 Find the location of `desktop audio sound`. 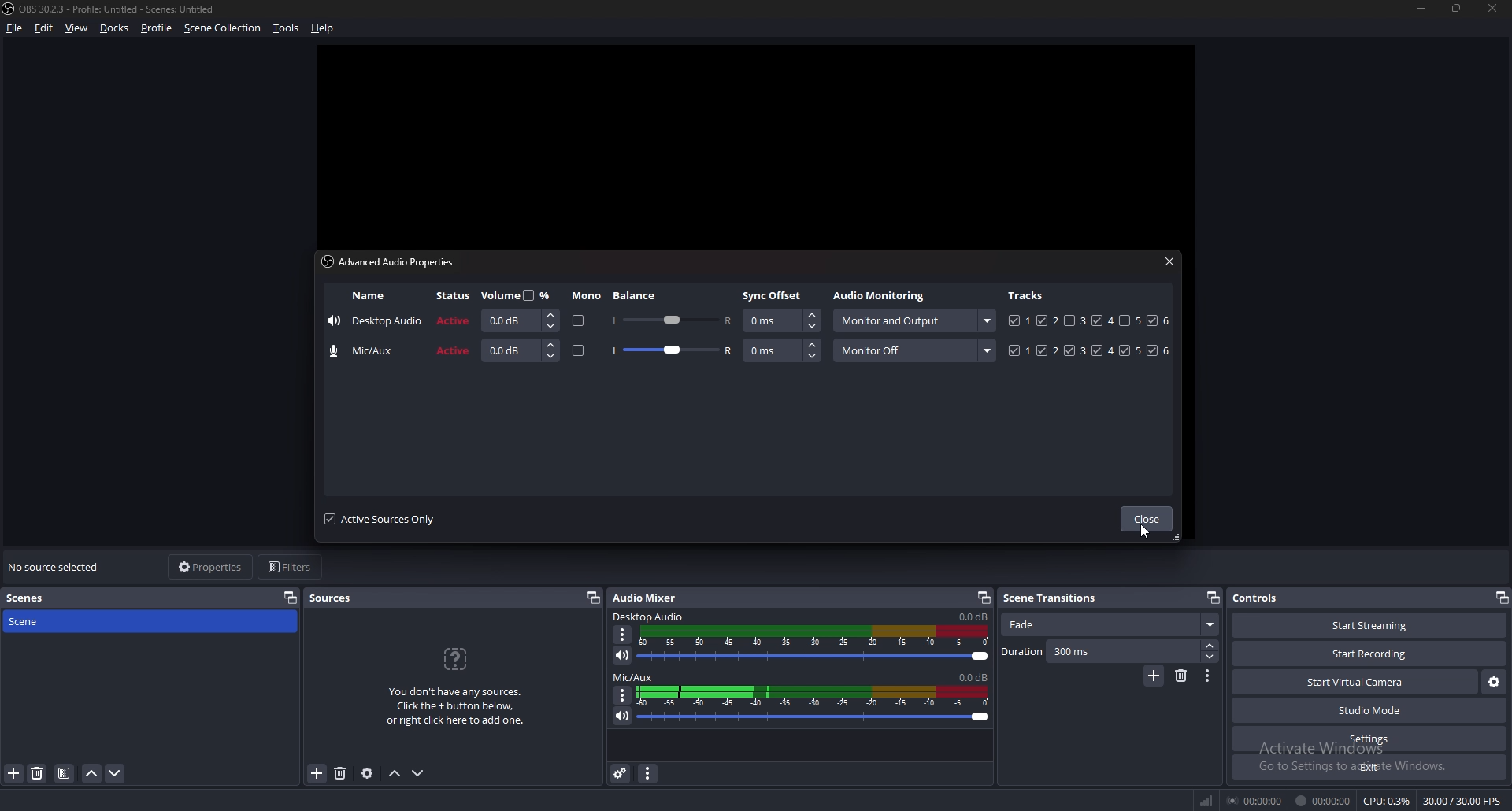

desktop audio sound is located at coordinates (973, 617).